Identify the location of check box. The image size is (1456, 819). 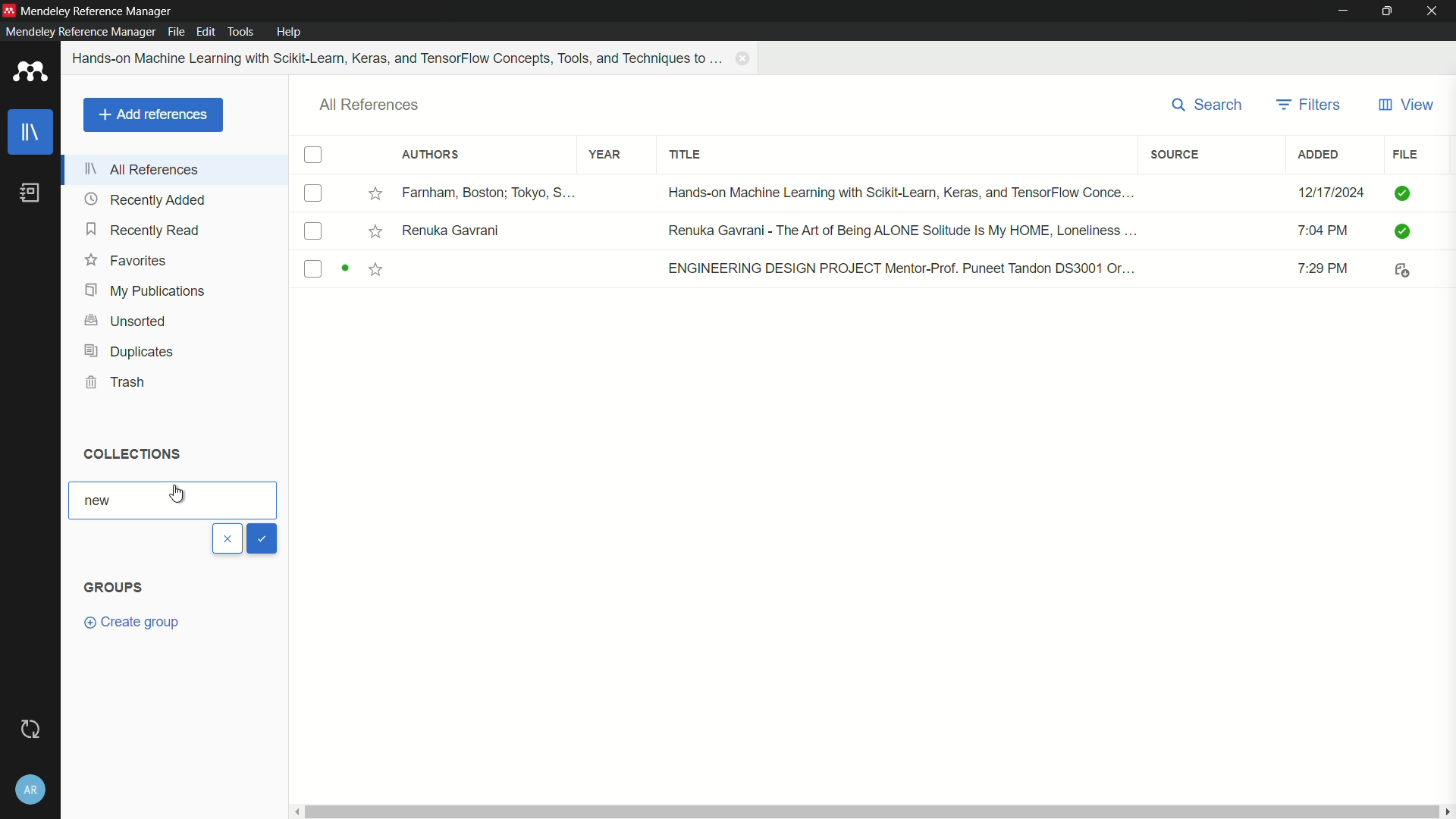
(313, 155).